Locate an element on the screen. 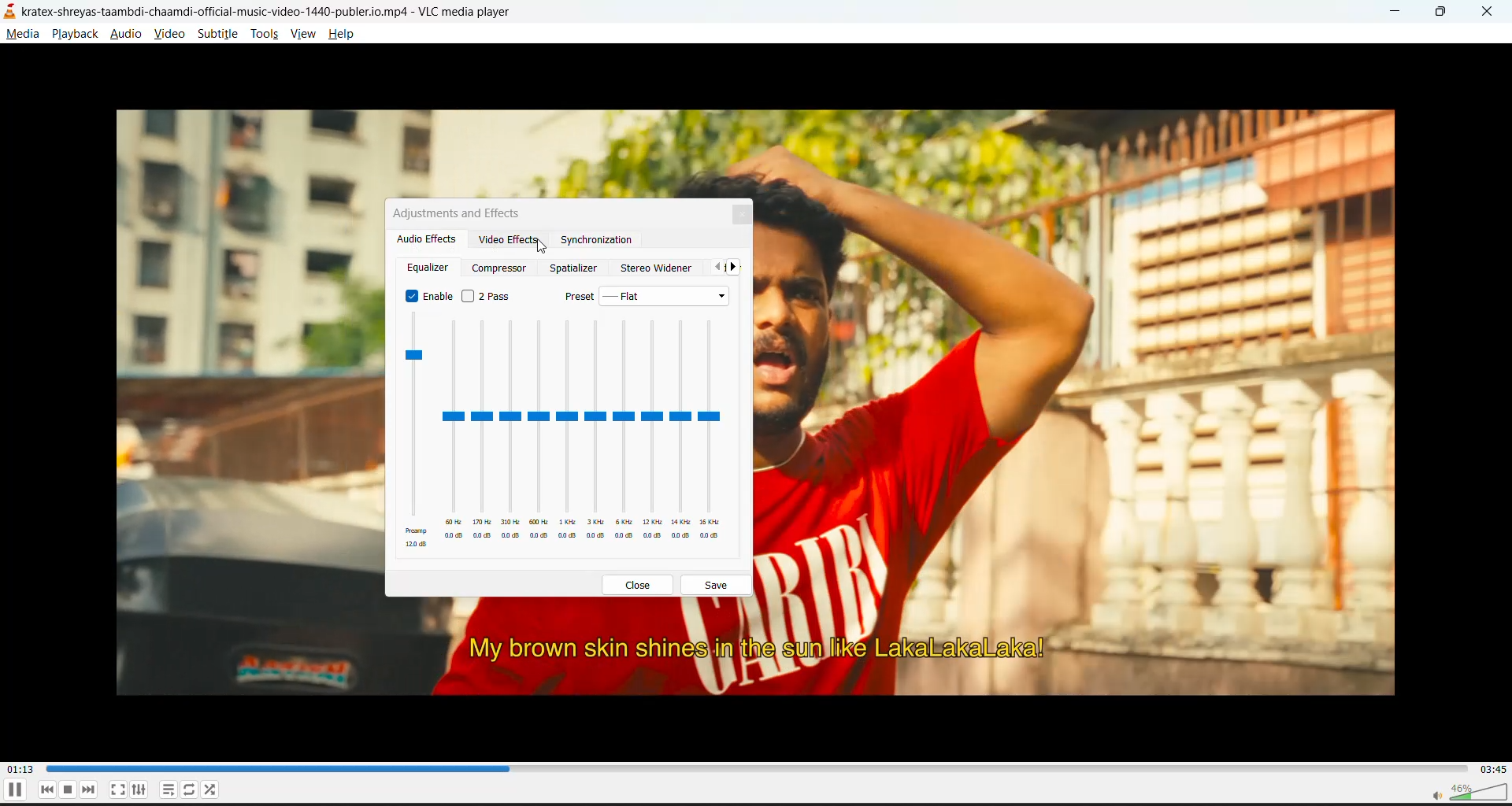 The image size is (1512, 806). save is located at coordinates (716, 586).